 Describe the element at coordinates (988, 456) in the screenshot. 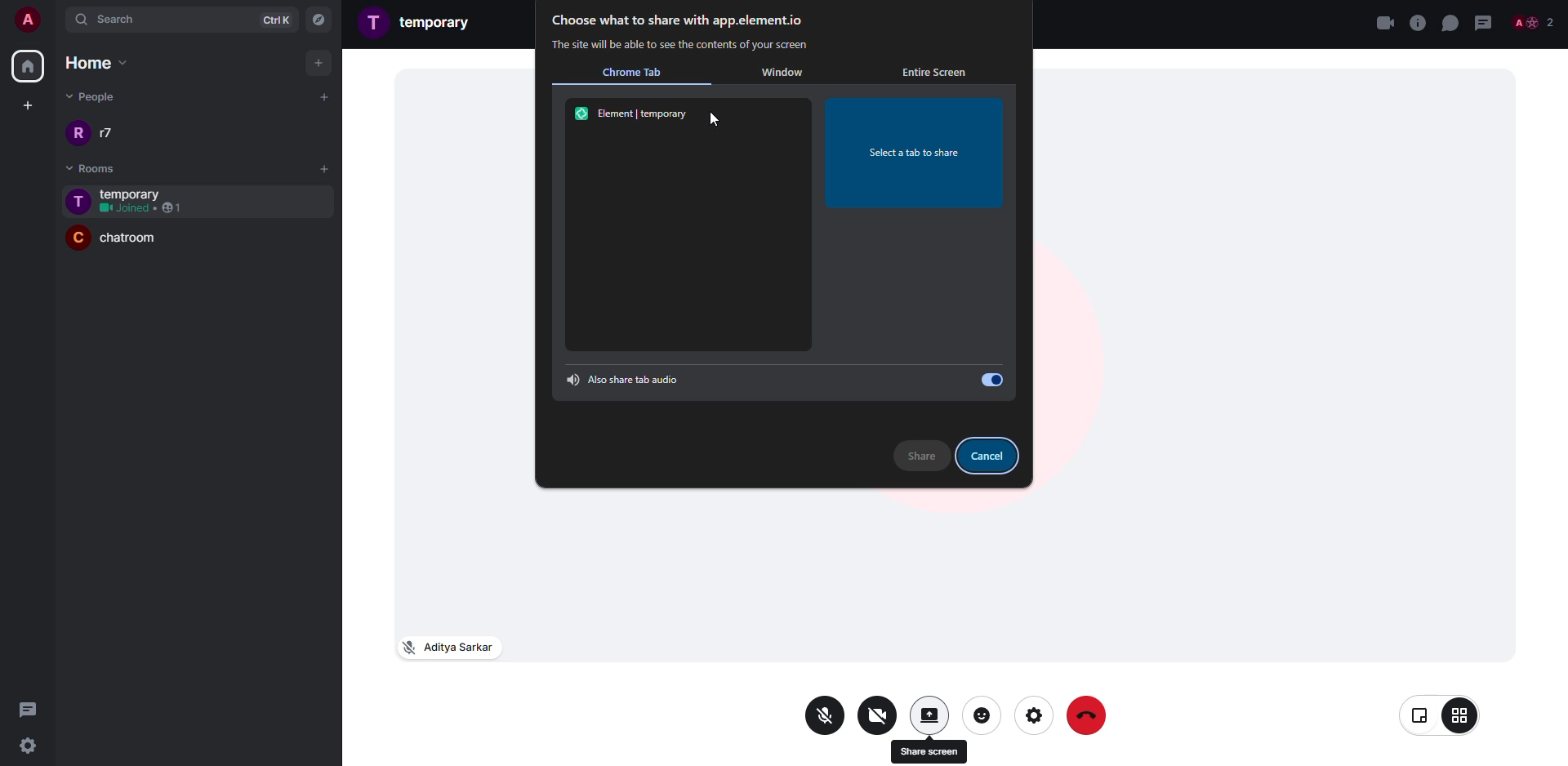

I see `cancel` at that location.